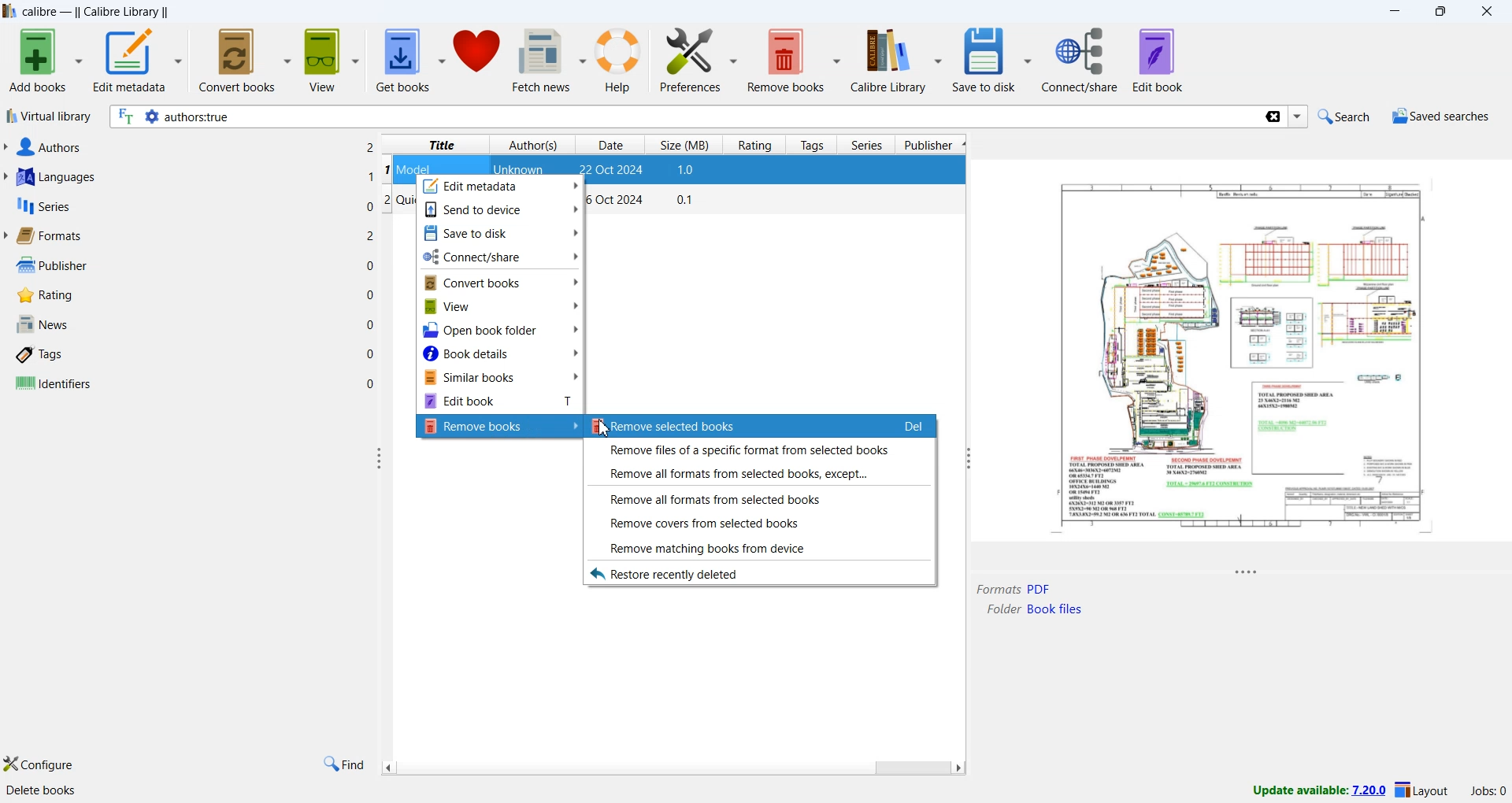 Image resolution: width=1512 pixels, height=803 pixels. What do you see at coordinates (49, 265) in the screenshot?
I see `publisher` at bounding box center [49, 265].